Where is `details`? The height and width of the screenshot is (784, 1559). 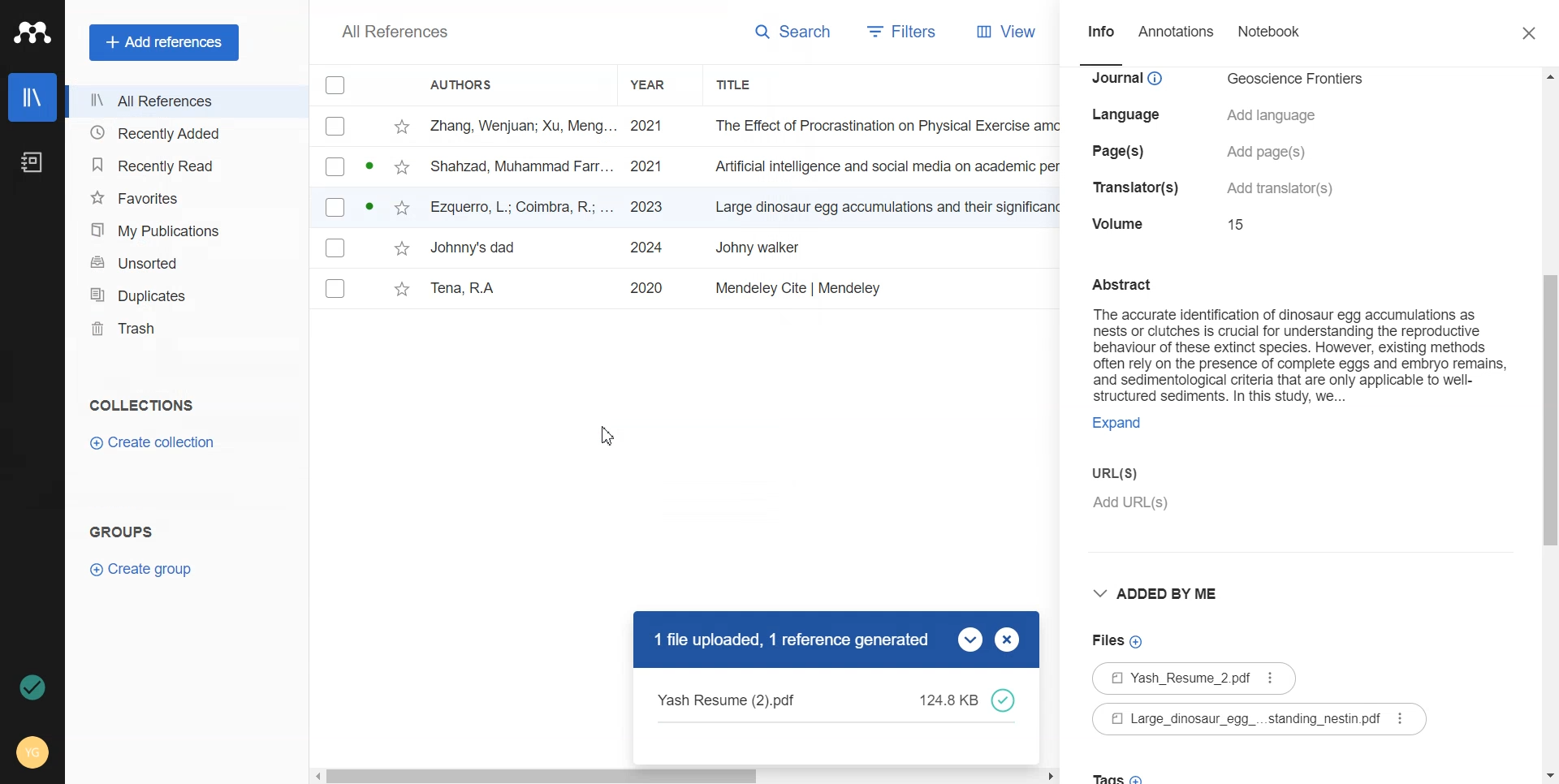 details is located at coordinates (1121, 223).